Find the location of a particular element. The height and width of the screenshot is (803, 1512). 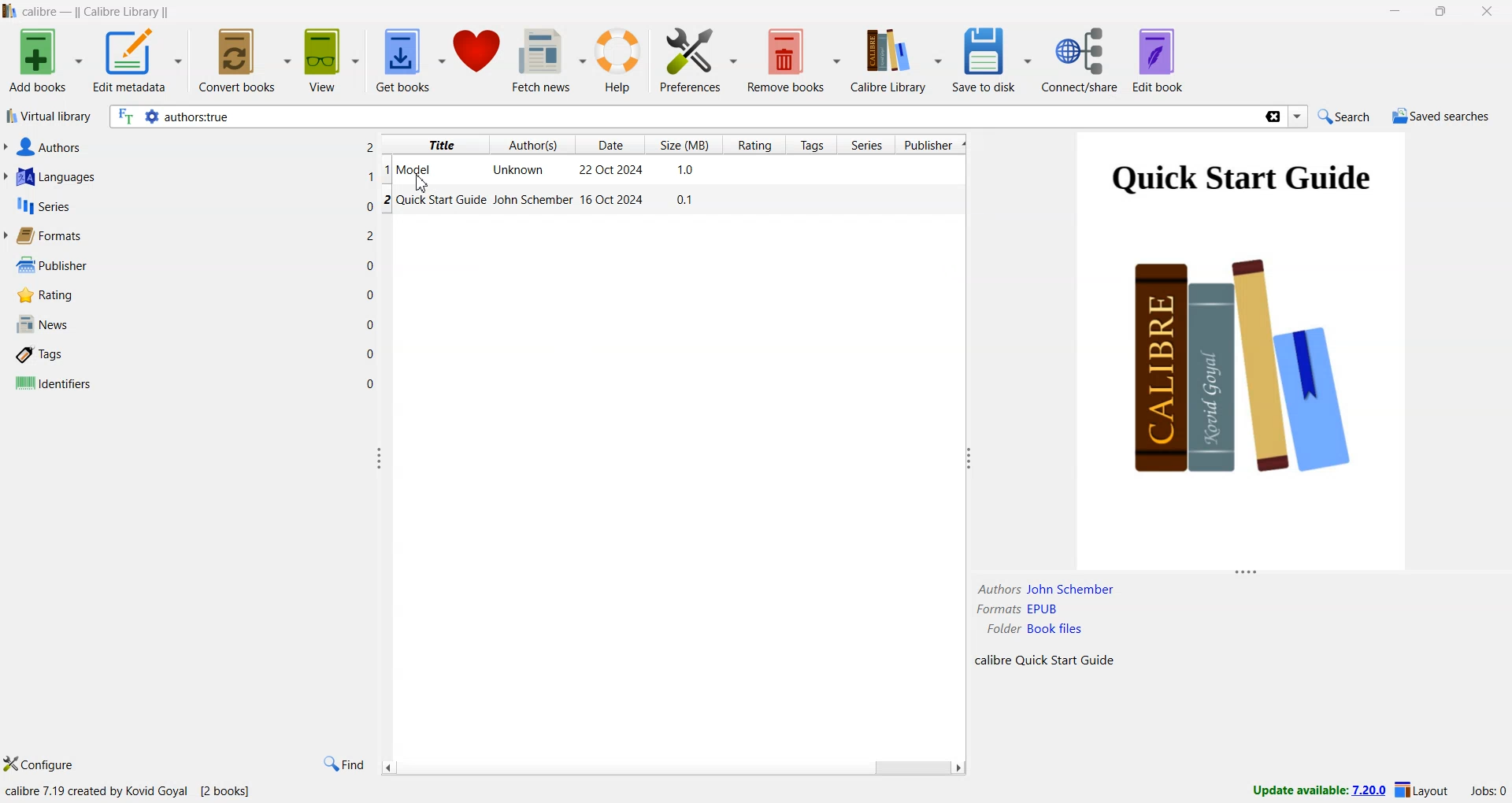

0 is located at coordinates (372, 324).